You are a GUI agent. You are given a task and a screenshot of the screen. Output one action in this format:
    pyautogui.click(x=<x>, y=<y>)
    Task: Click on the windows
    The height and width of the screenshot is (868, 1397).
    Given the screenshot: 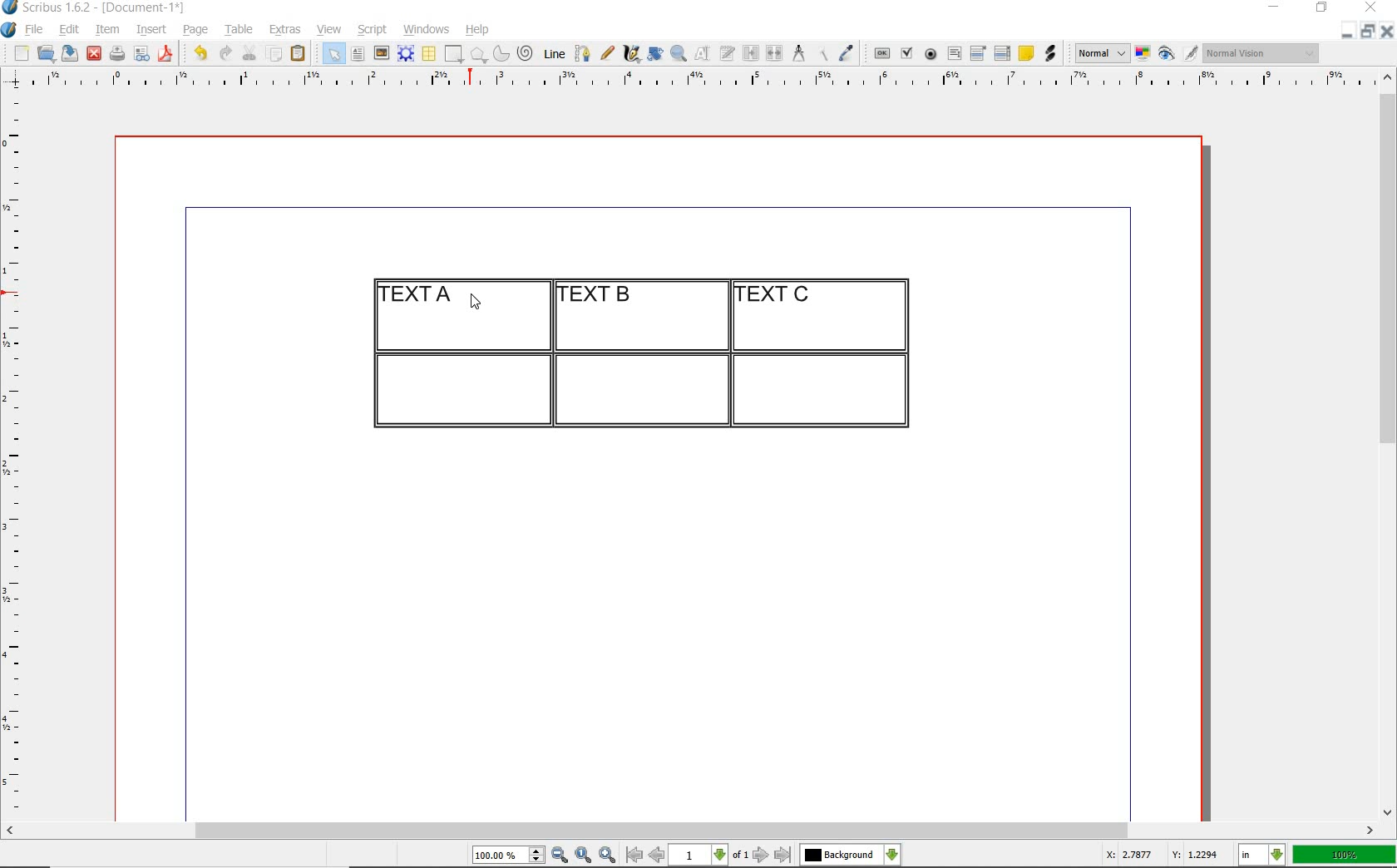 What is the action you would take?
    pyautogui.click(x=427, y=30)
    